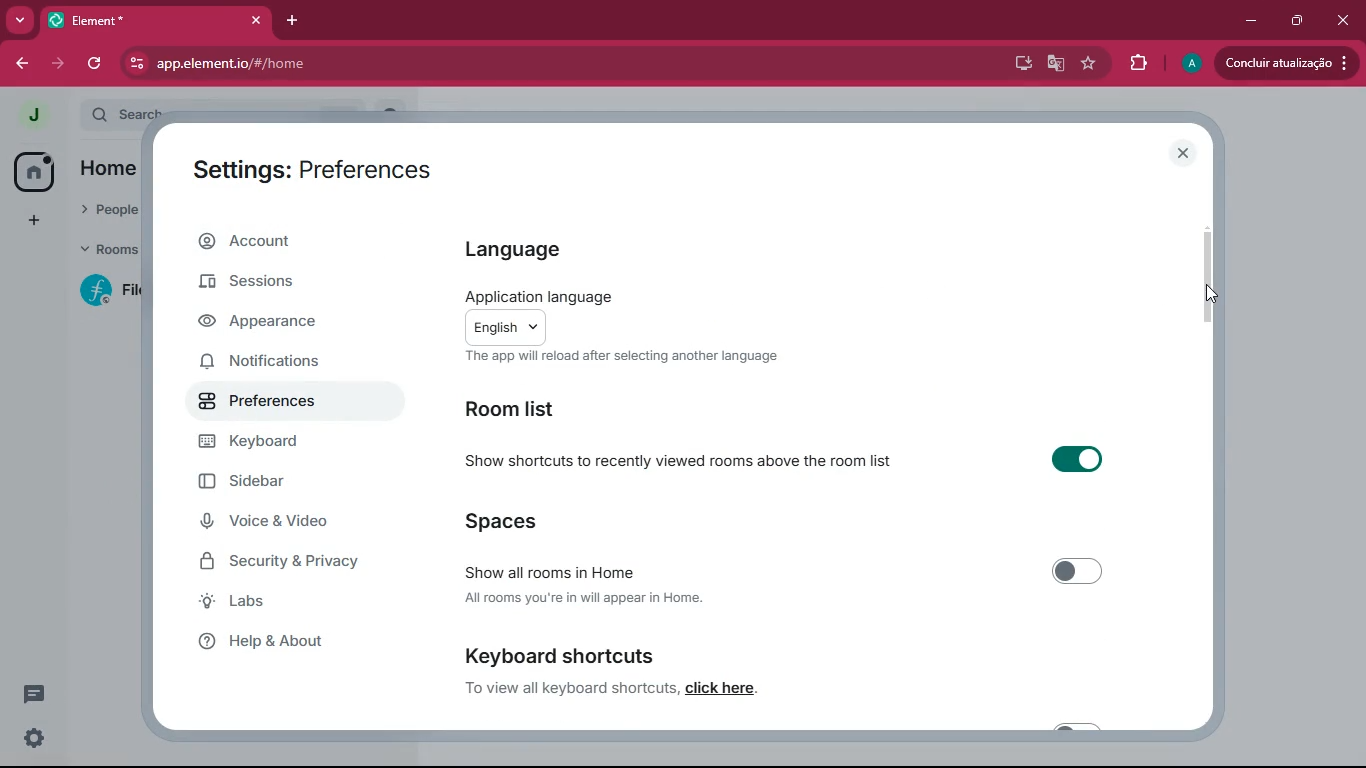 The image size is (1366, 768). I want to click on Select application language, so click(505, 327).